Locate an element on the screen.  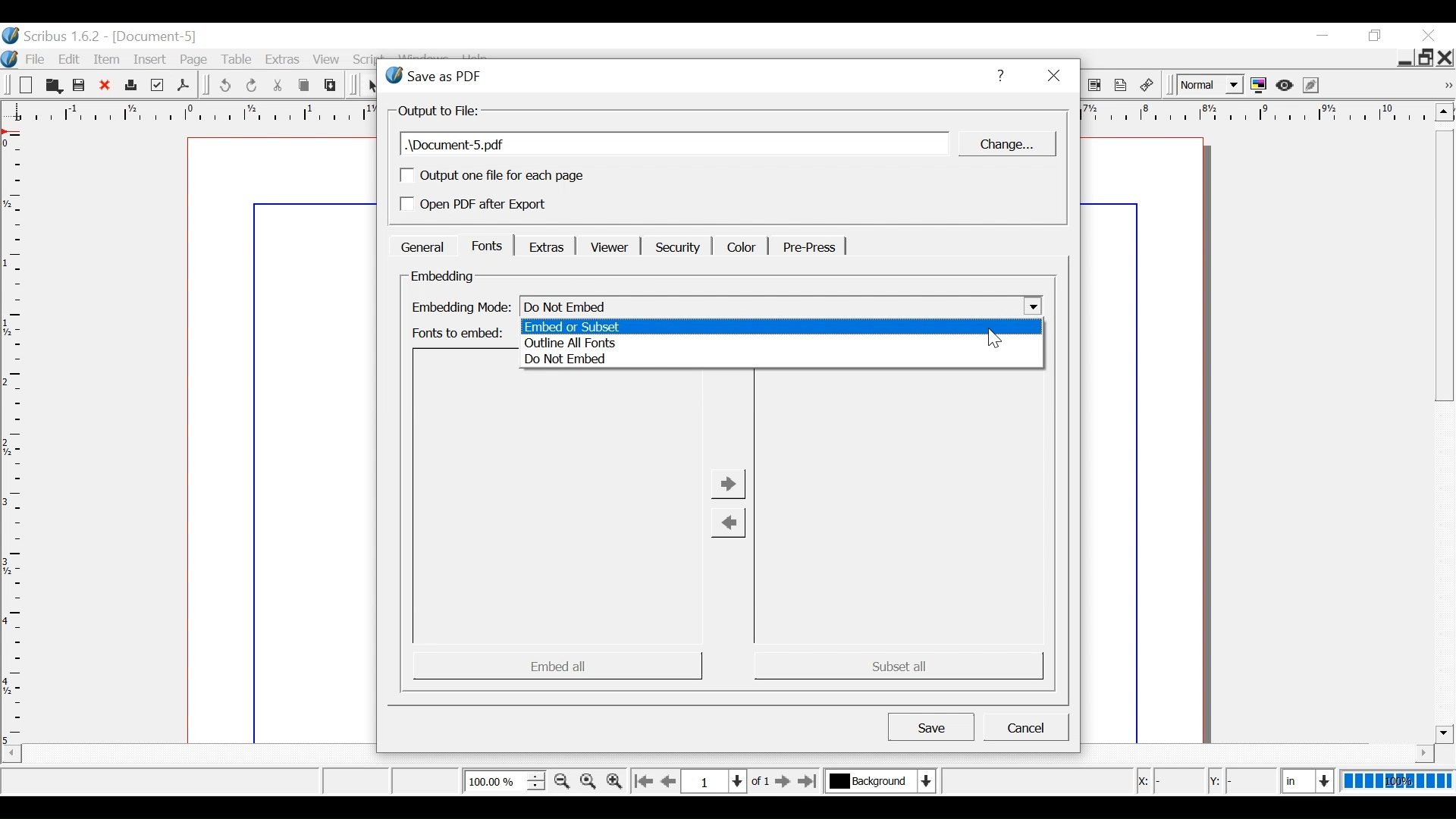
Embed Preview is located at coordinates (558, 507).